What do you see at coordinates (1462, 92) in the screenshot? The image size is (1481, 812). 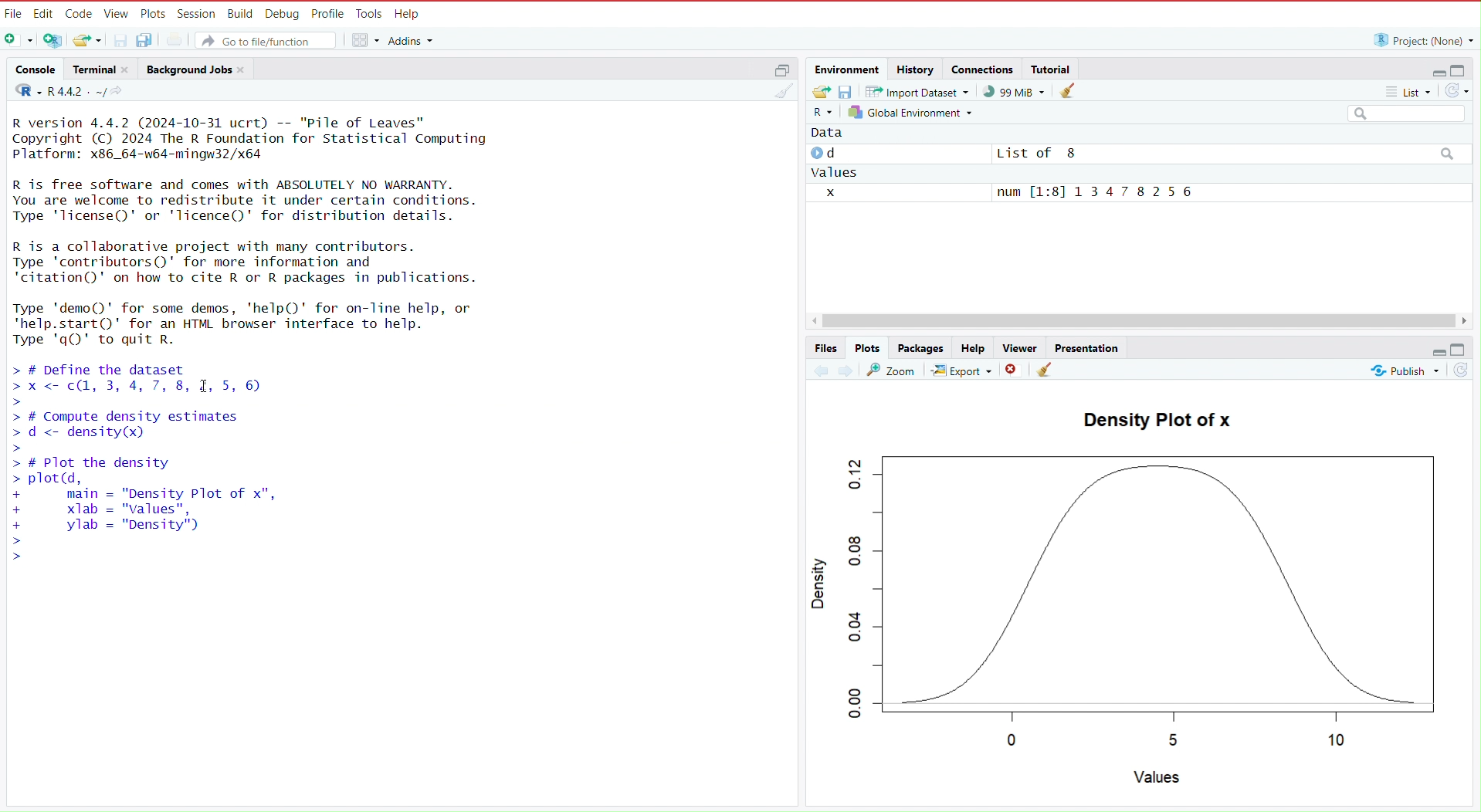 I see `refresh the list of objects in the environment` at bounding box center [1462, 92].